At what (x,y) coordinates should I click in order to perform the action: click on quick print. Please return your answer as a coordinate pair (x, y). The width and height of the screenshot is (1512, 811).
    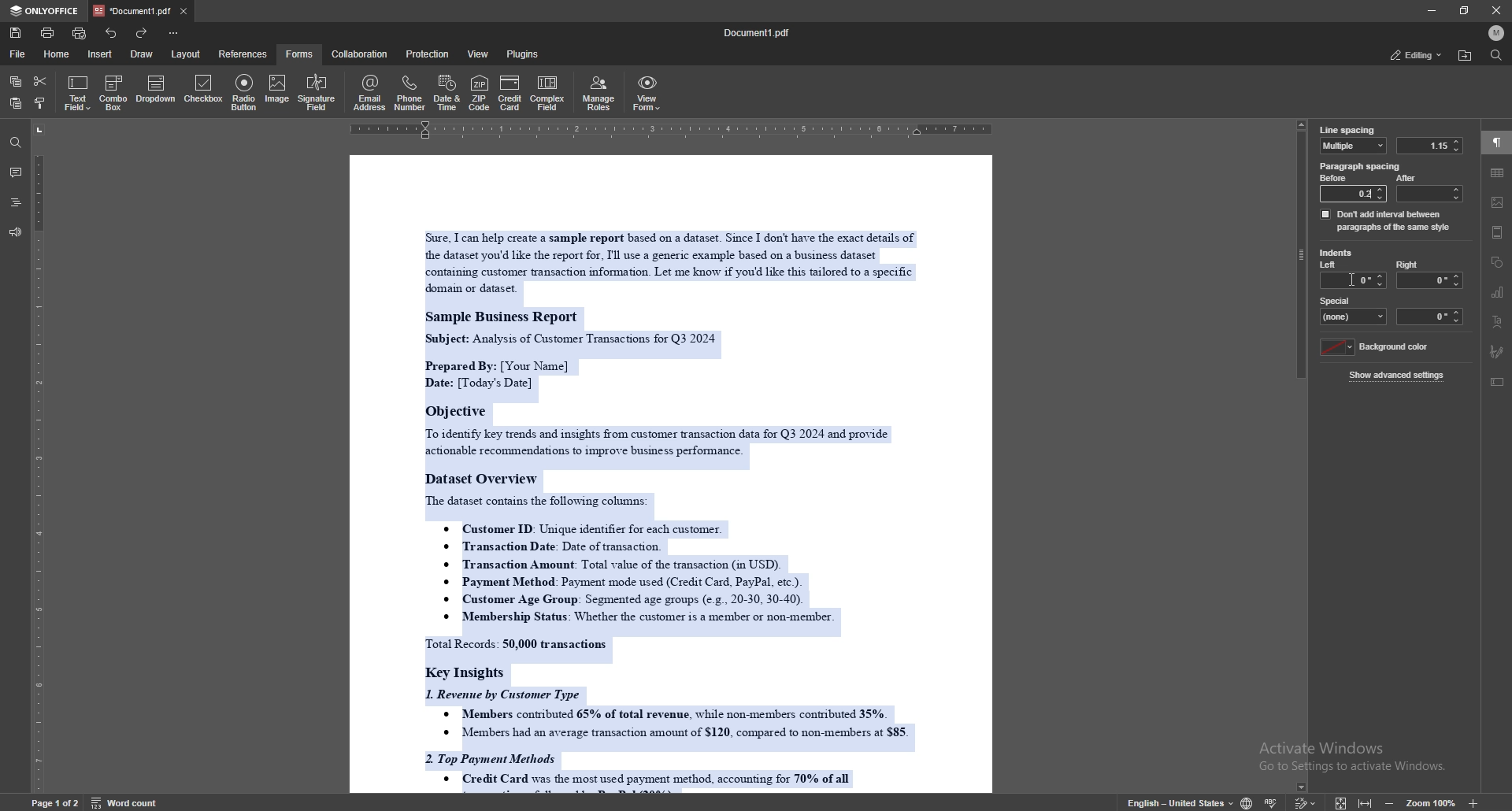
    Looking at the image, I should click on (81, 33).